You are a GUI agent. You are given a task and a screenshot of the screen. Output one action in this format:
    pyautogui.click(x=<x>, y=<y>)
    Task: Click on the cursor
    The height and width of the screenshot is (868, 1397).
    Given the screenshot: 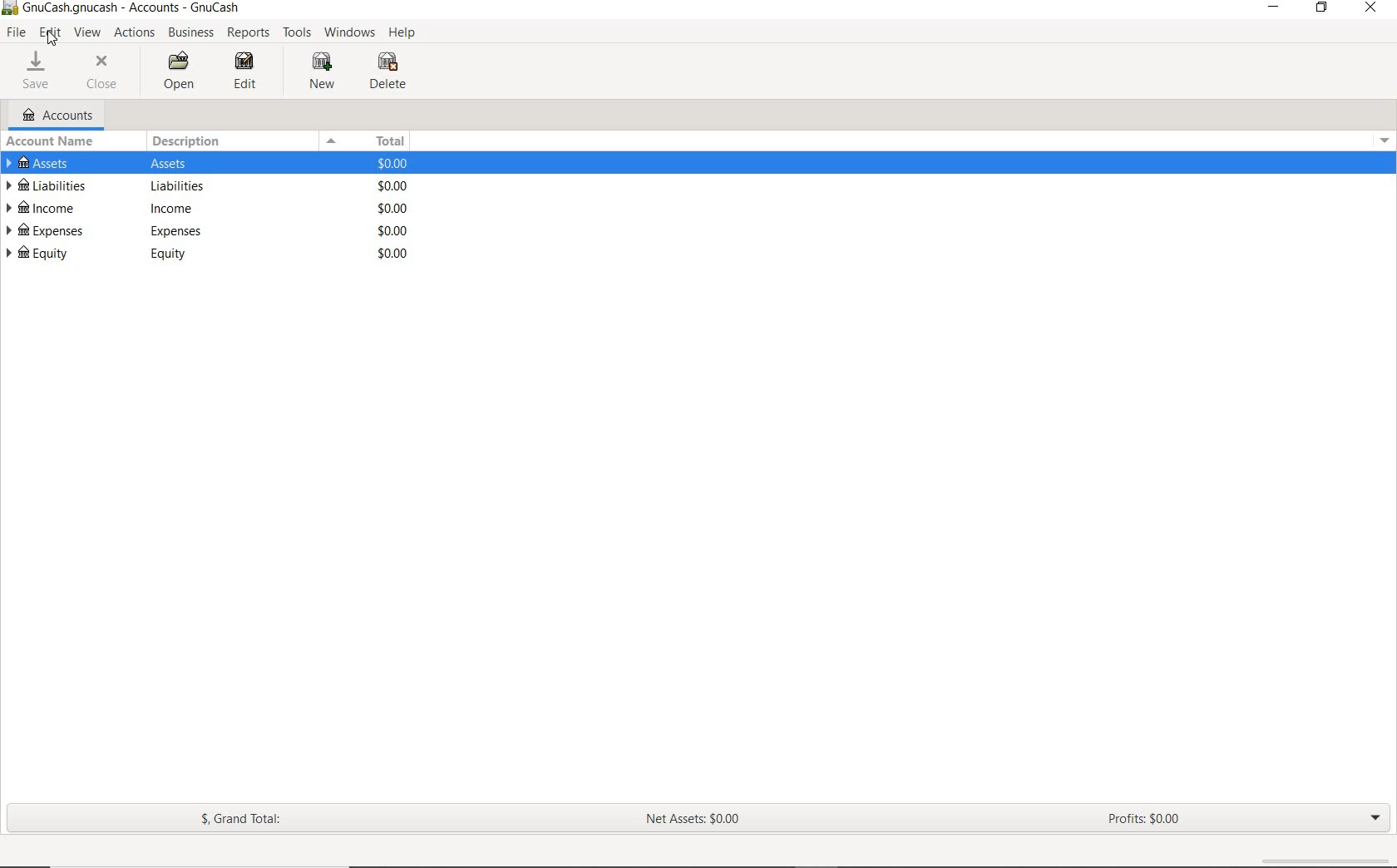 What is the action you would take?
    pyautogui.click(x=56, y=40)
    